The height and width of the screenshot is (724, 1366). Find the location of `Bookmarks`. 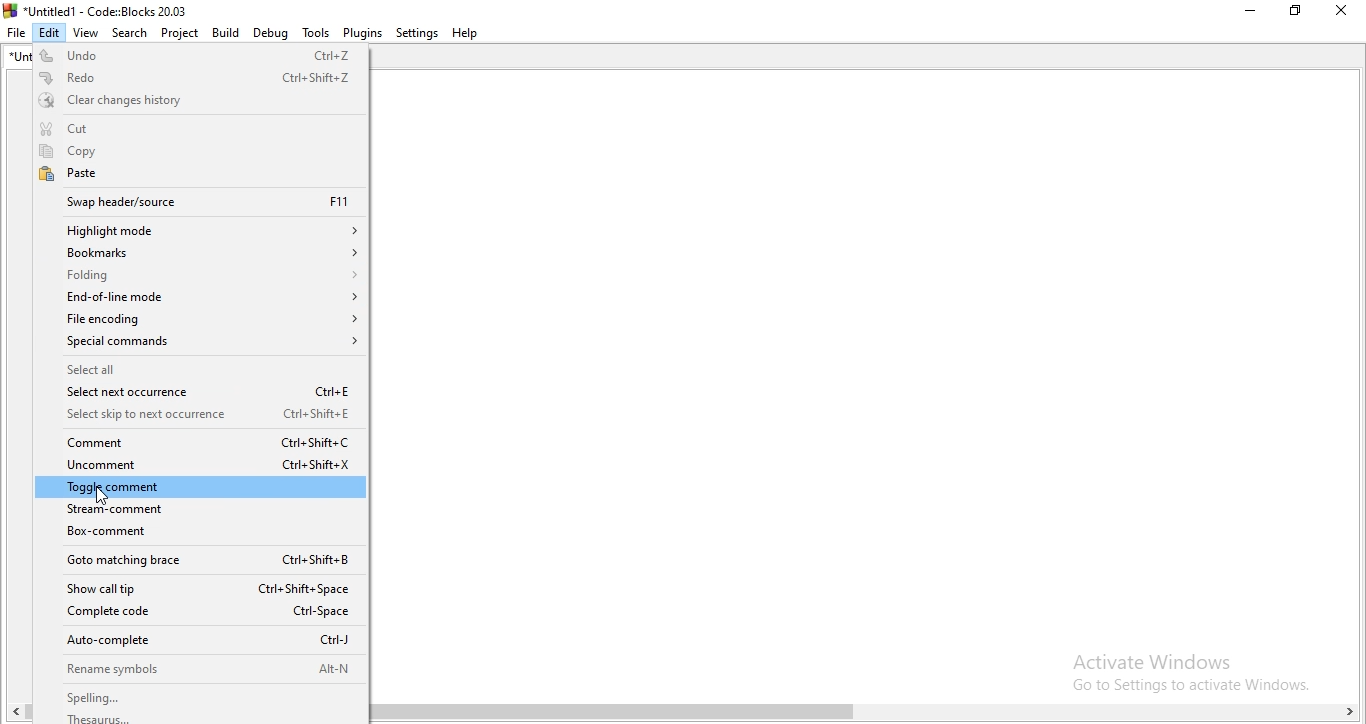

Bookmarks is located at coordinates (198, 252).